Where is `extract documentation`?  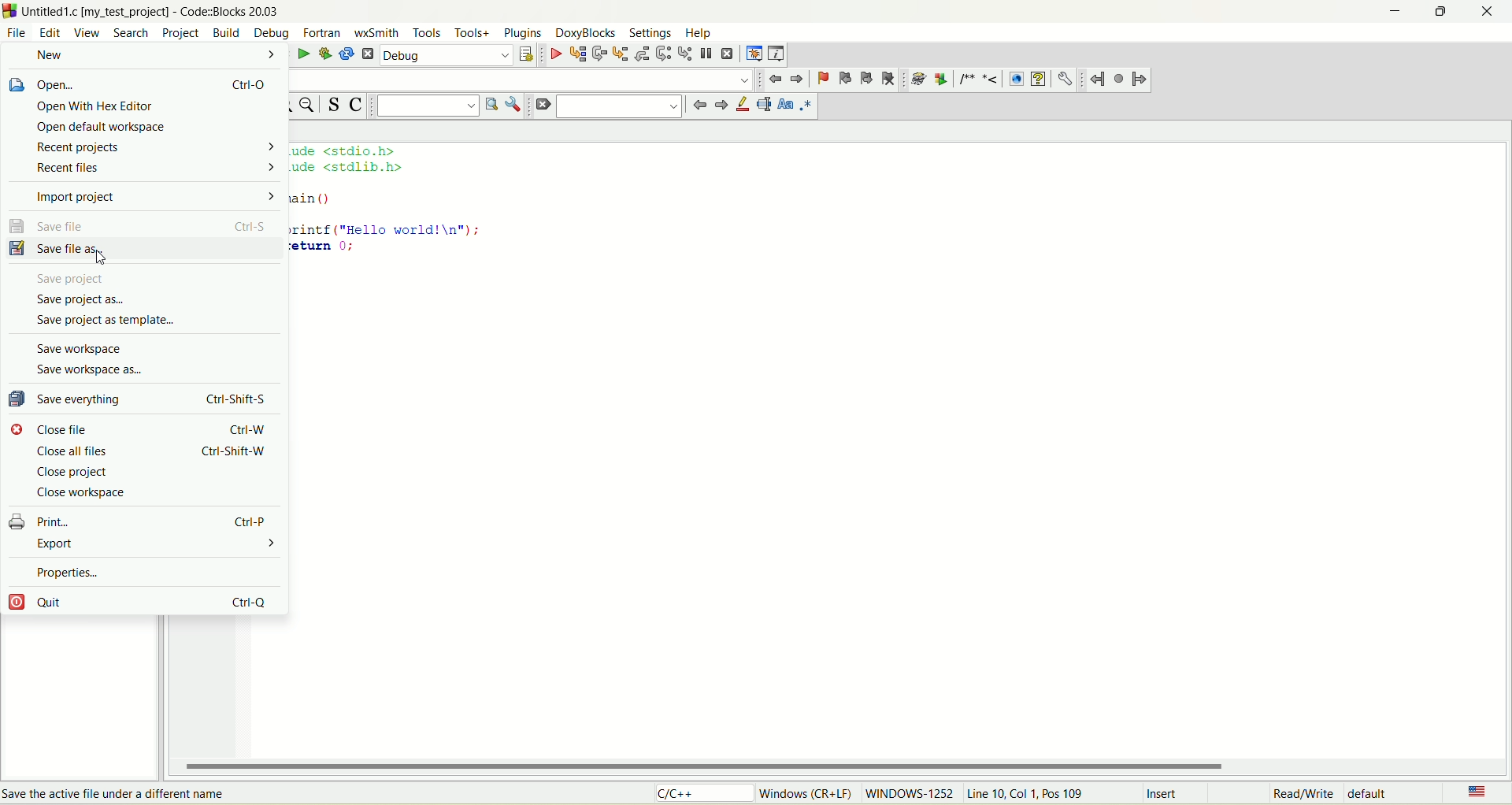 extract documentation is located at coordinates (941, 80).